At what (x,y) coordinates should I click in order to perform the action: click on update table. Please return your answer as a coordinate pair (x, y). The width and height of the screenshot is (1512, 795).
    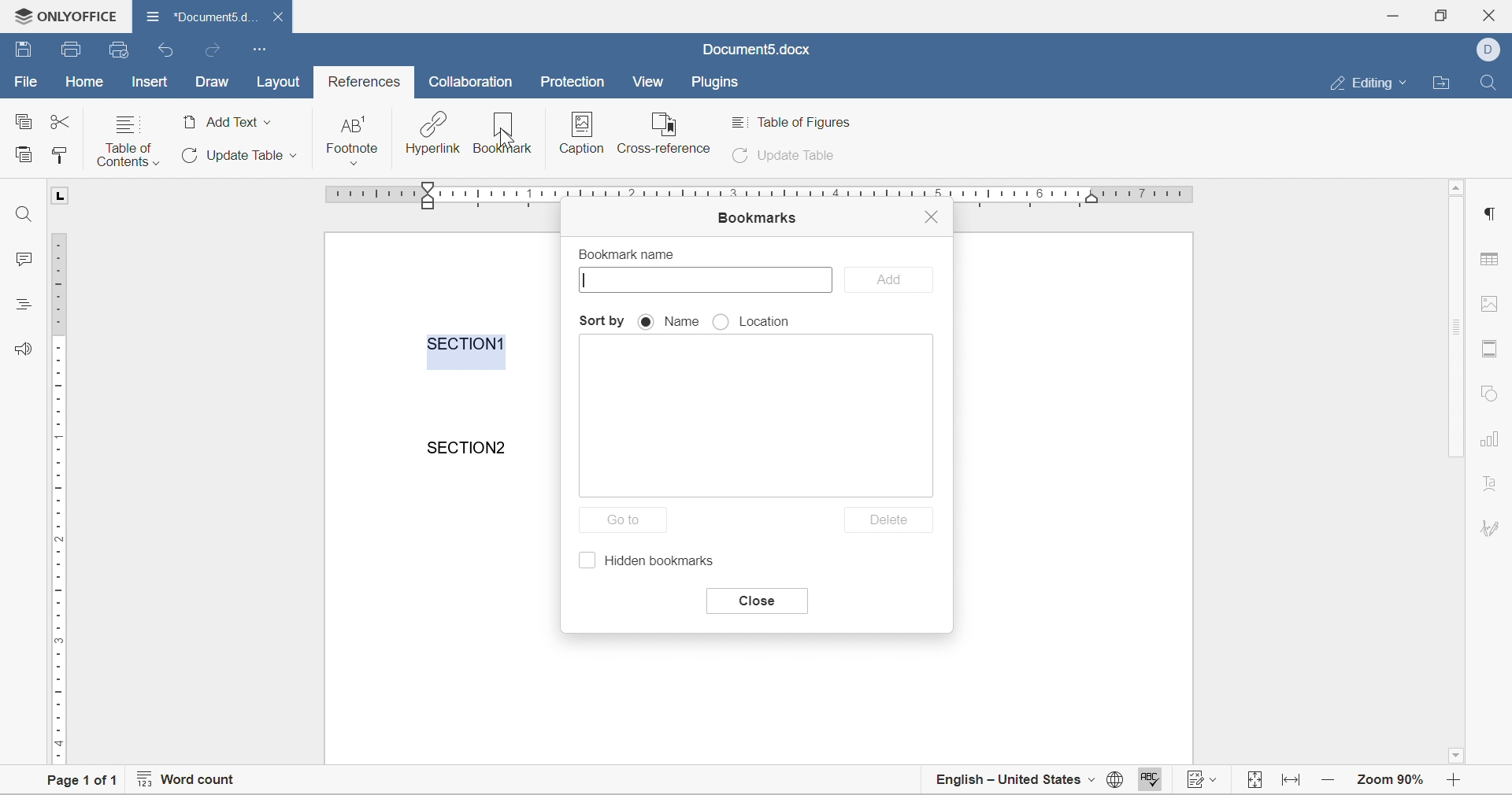
    Looking at the image, I should click on (787, 157).